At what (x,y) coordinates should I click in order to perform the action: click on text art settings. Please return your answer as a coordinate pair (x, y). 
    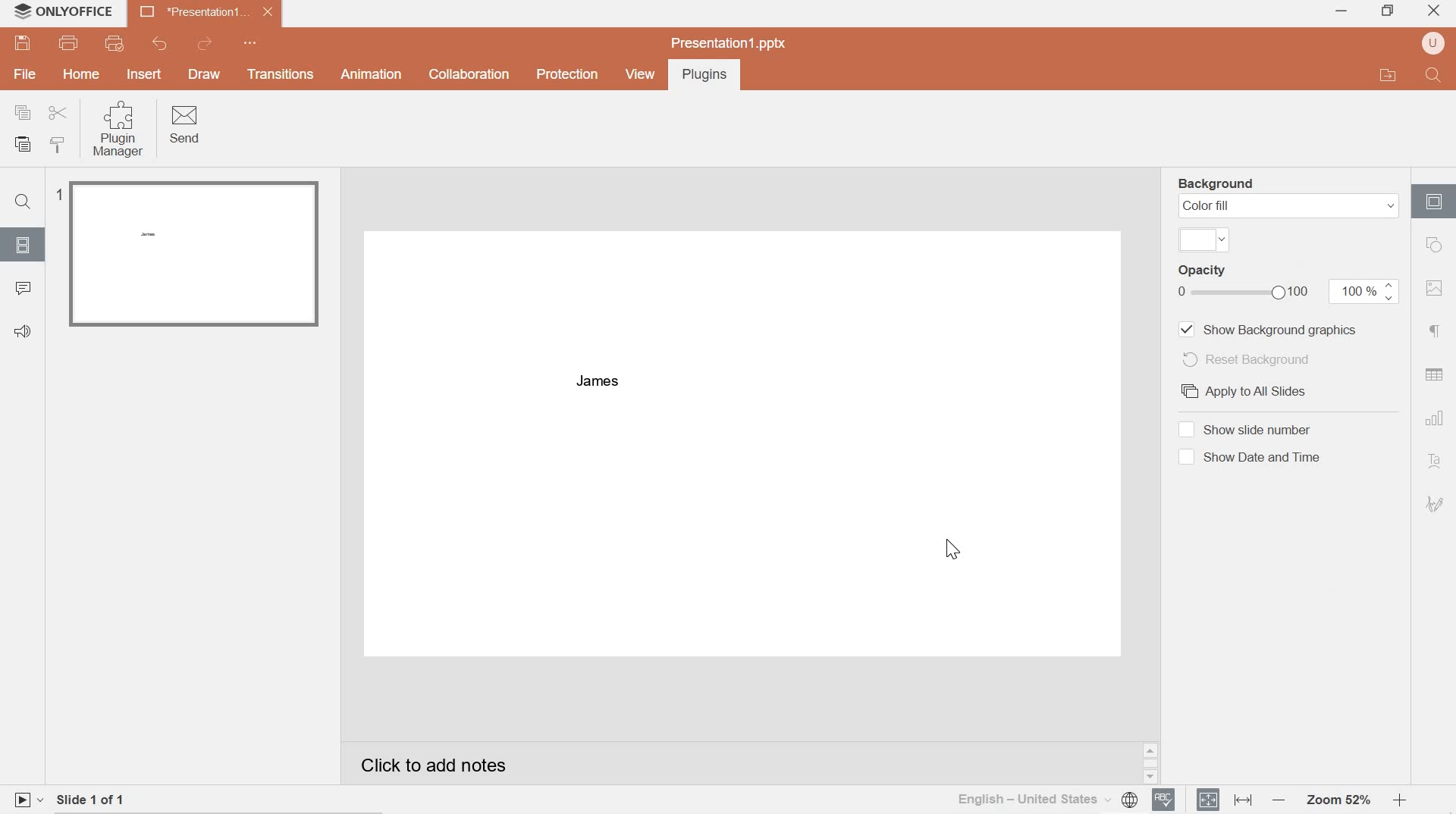
    Looking at the image, I should click on (1438, 463).